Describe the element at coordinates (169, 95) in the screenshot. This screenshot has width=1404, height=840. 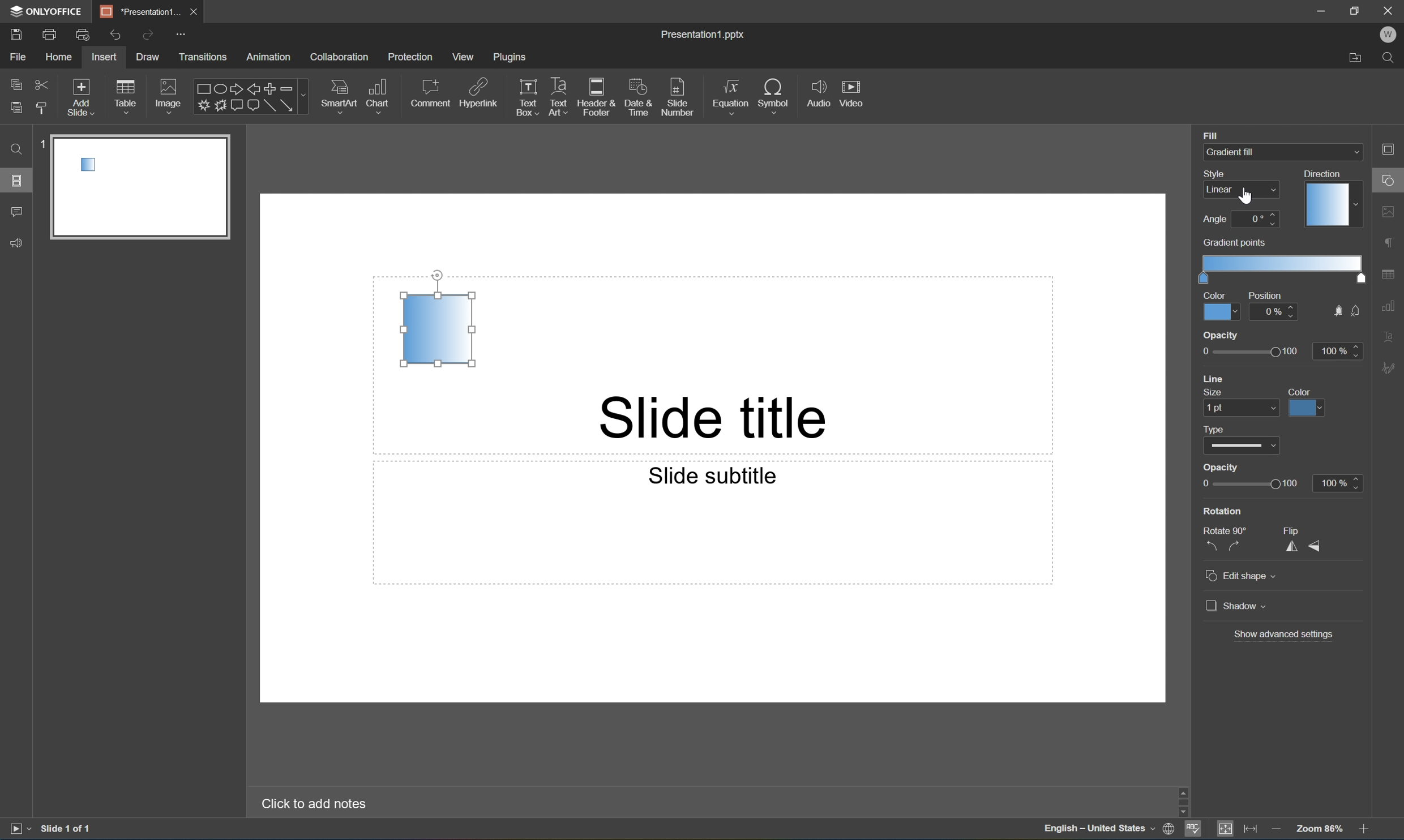
I see `Image` at that location.